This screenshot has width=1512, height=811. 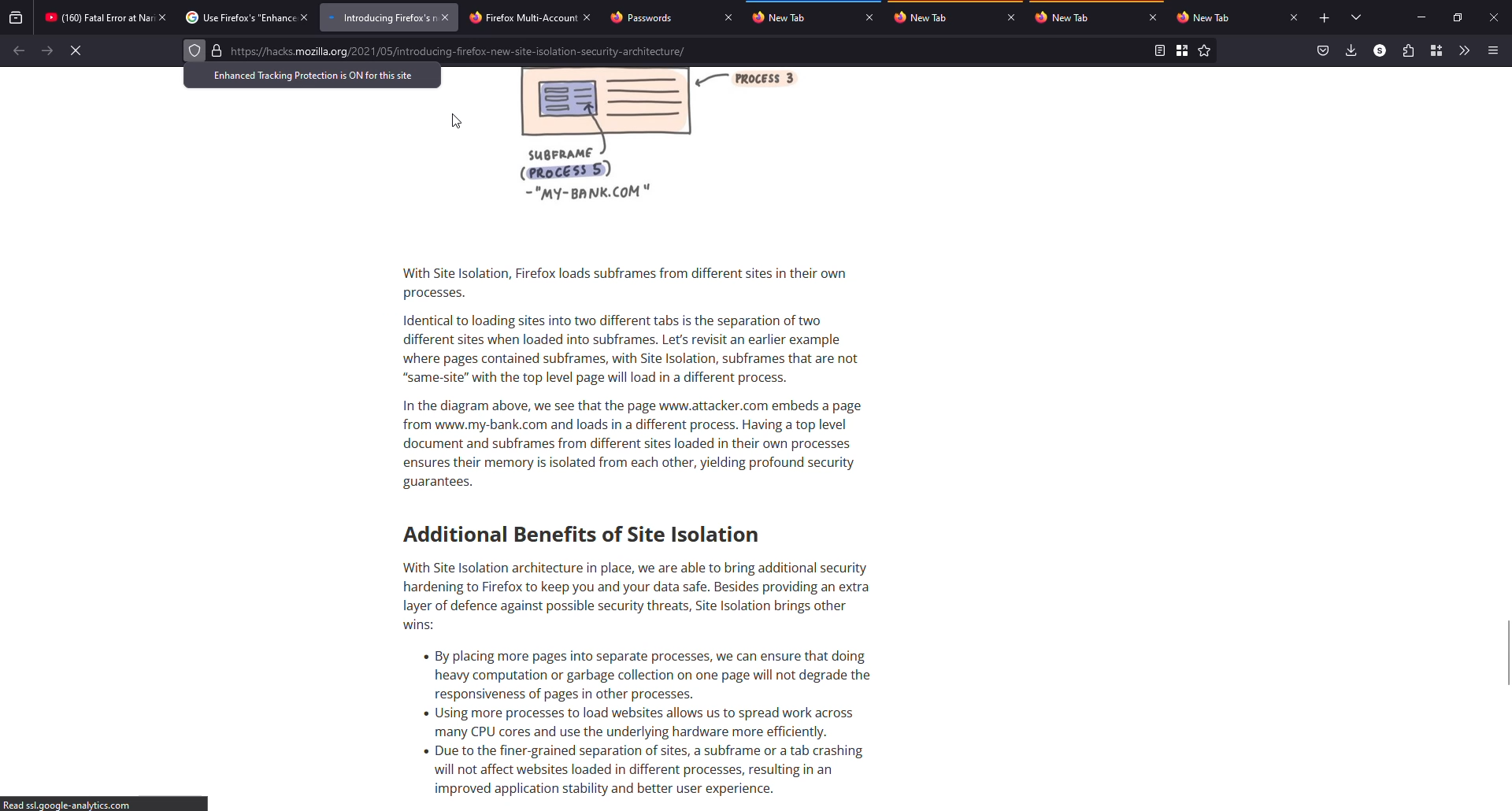 What do you see at coordinates (457, 120) in the screenshot?
I see `cursor` at bounding box center [457, 120].